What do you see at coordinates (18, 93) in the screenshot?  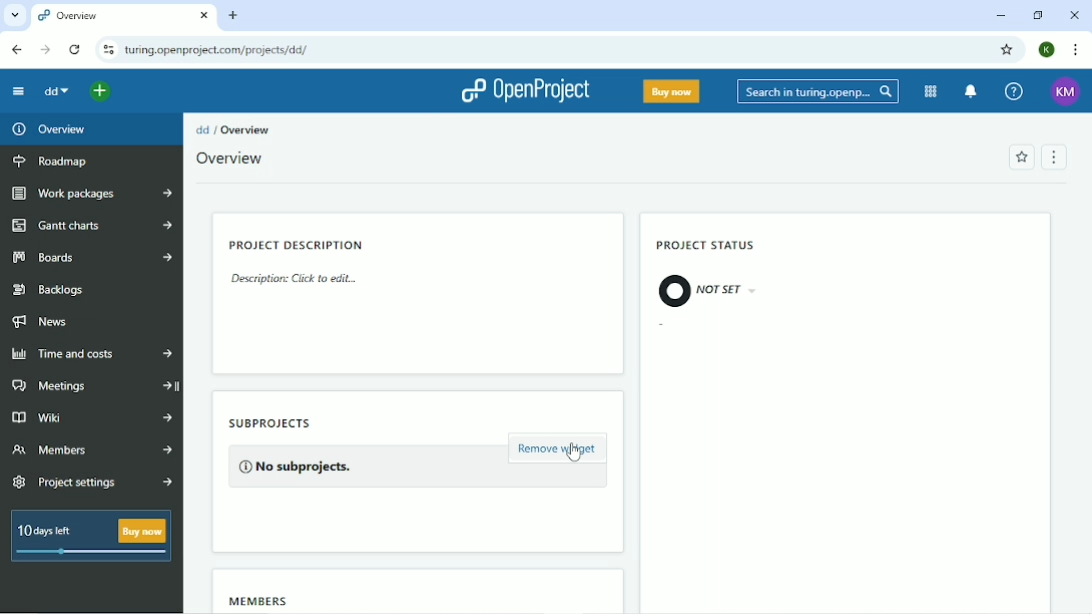 I see `Collpase project menu` at bounding box center [18, 93].